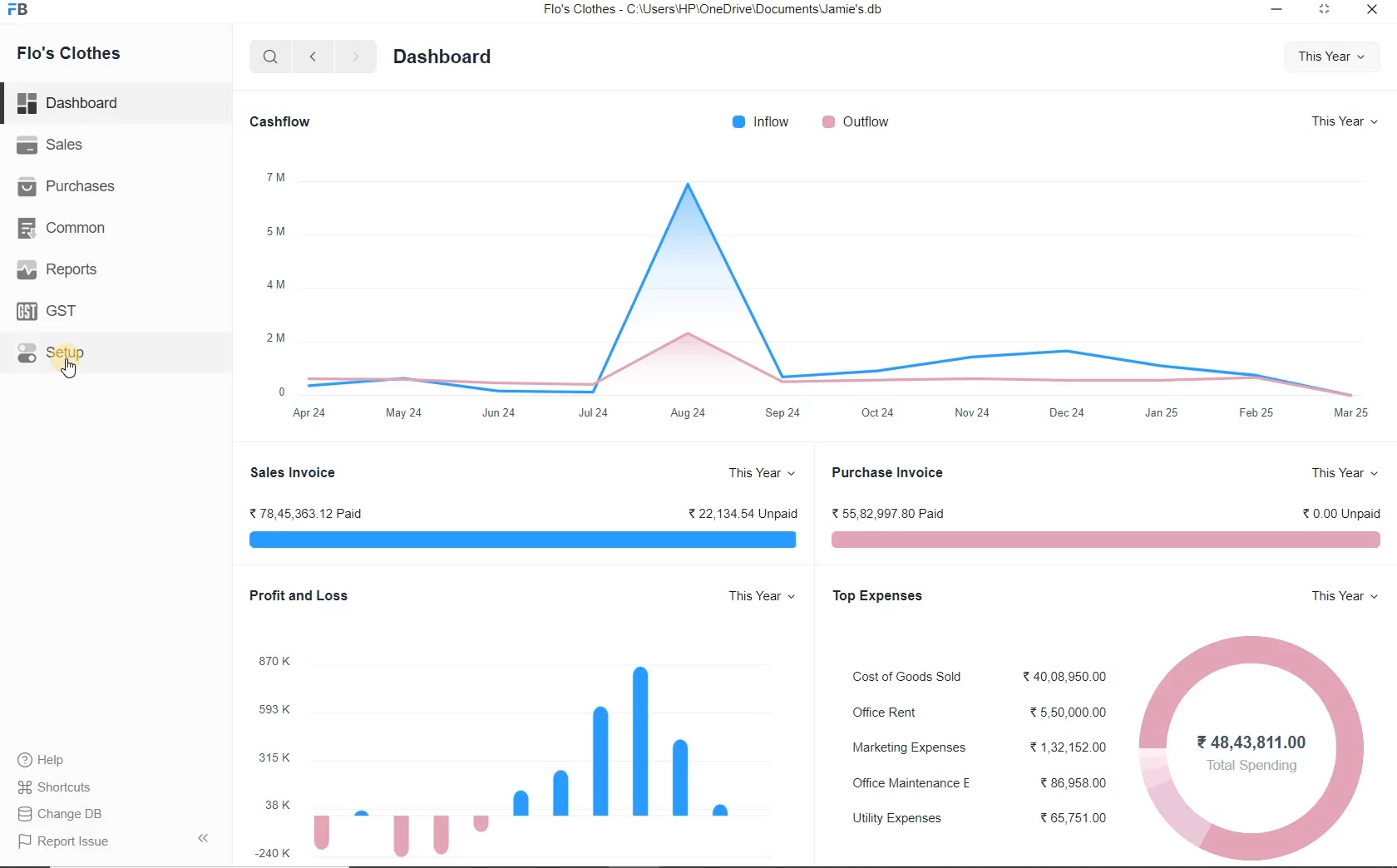  What do you see at coordinates (881, 596) in the screenshot?
I see `Top Expenses` at bounding box center [881, 596].